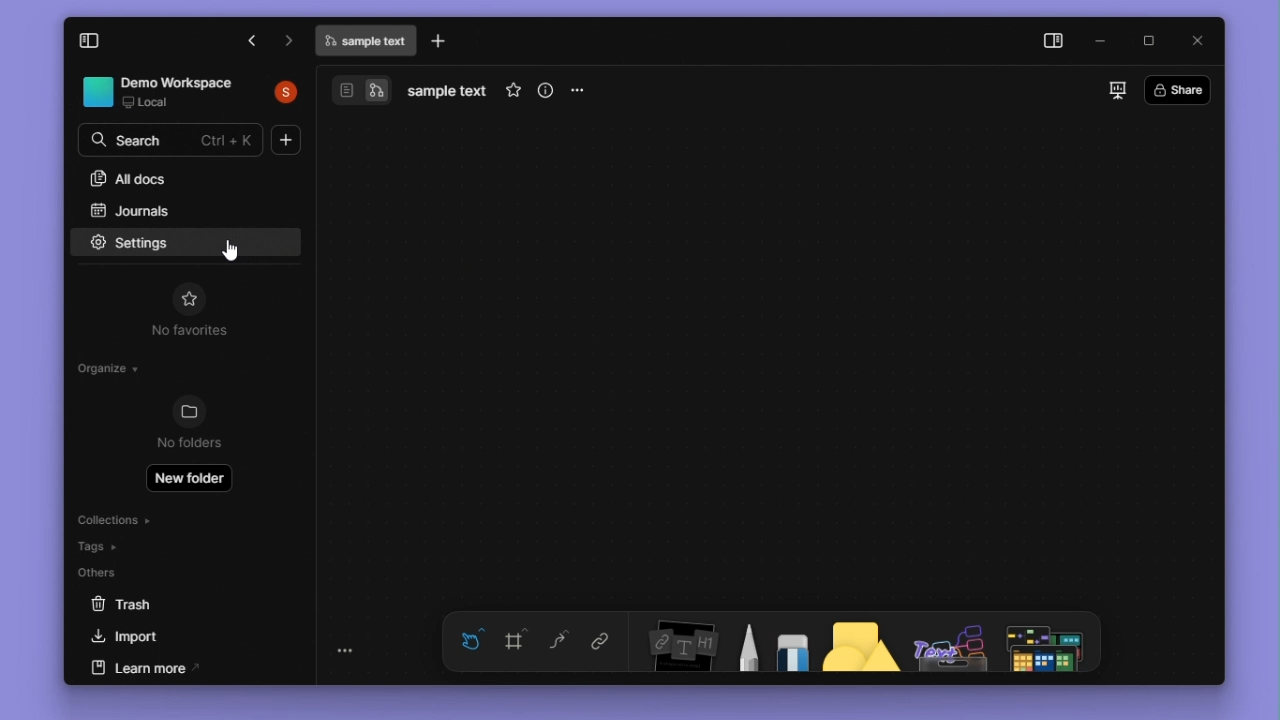  What do you see at coordinates (447, 90) in the screenshot?
I see `text file  name` at bounding box center [447, 90].